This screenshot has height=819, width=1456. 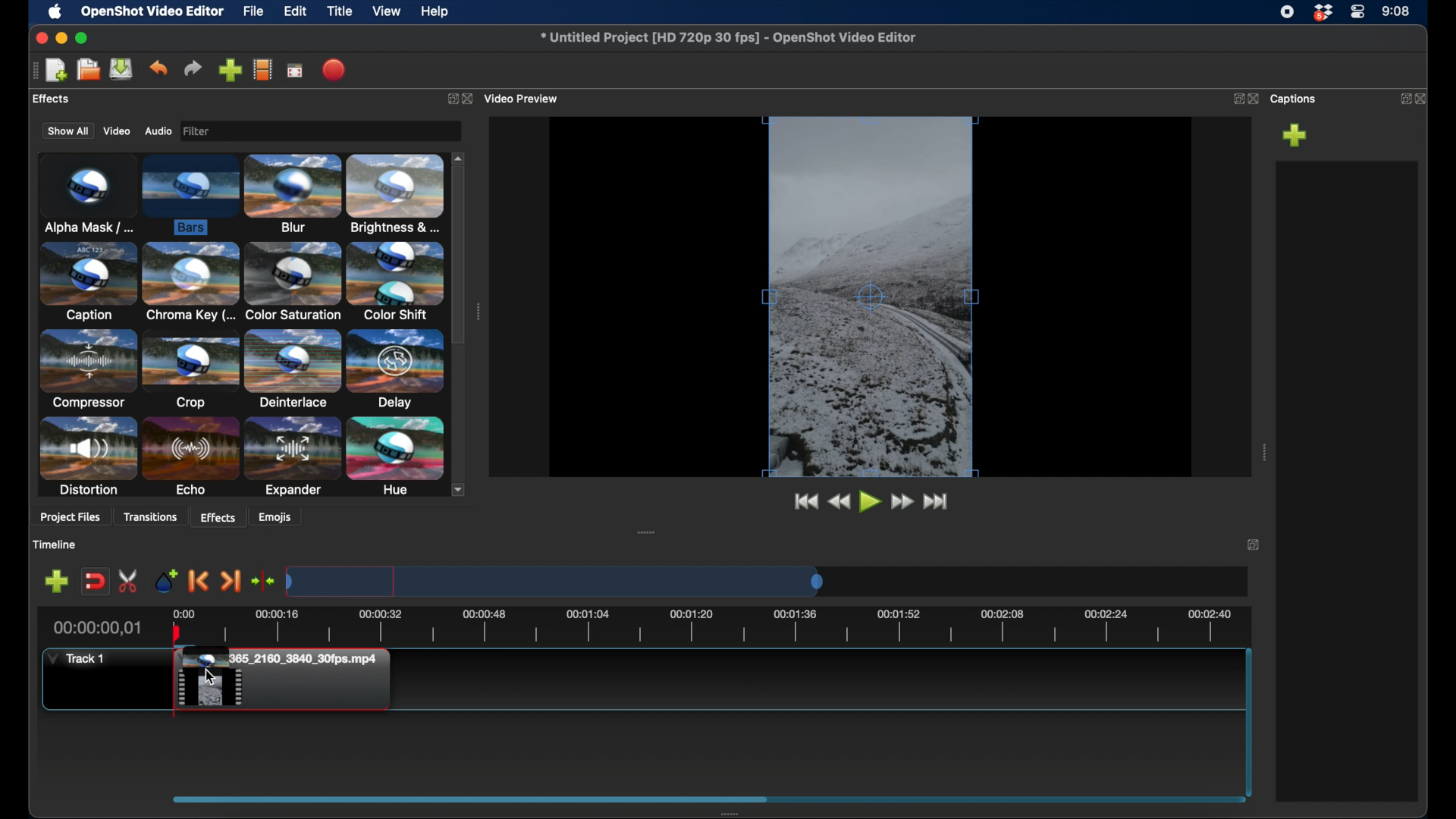 What do you see at coordinates (525, 97) in the screenshot?
I see `video preview` at bounding box center [525, 97].